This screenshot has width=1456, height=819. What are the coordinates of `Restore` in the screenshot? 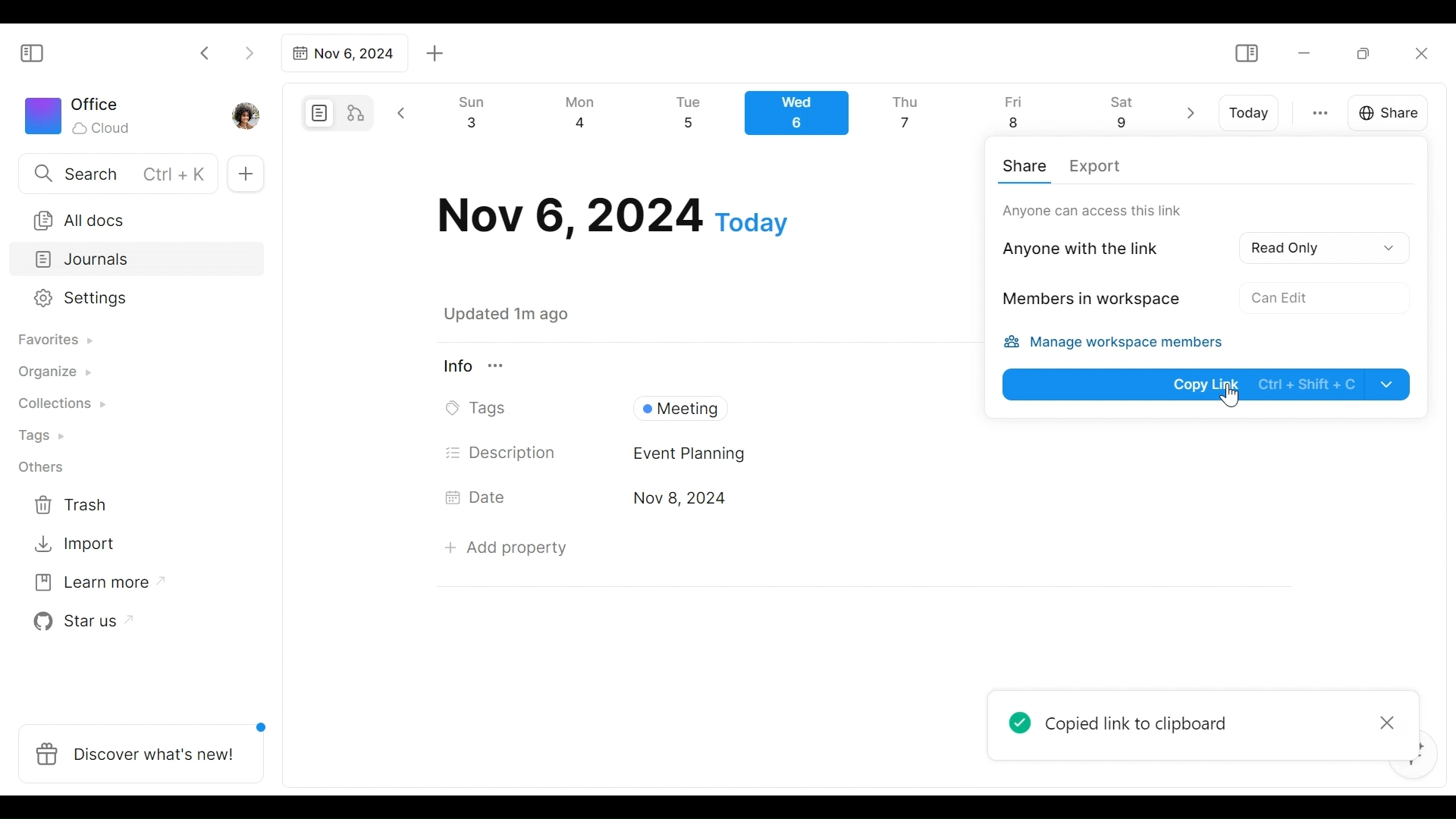 It's located at (1369, 52).